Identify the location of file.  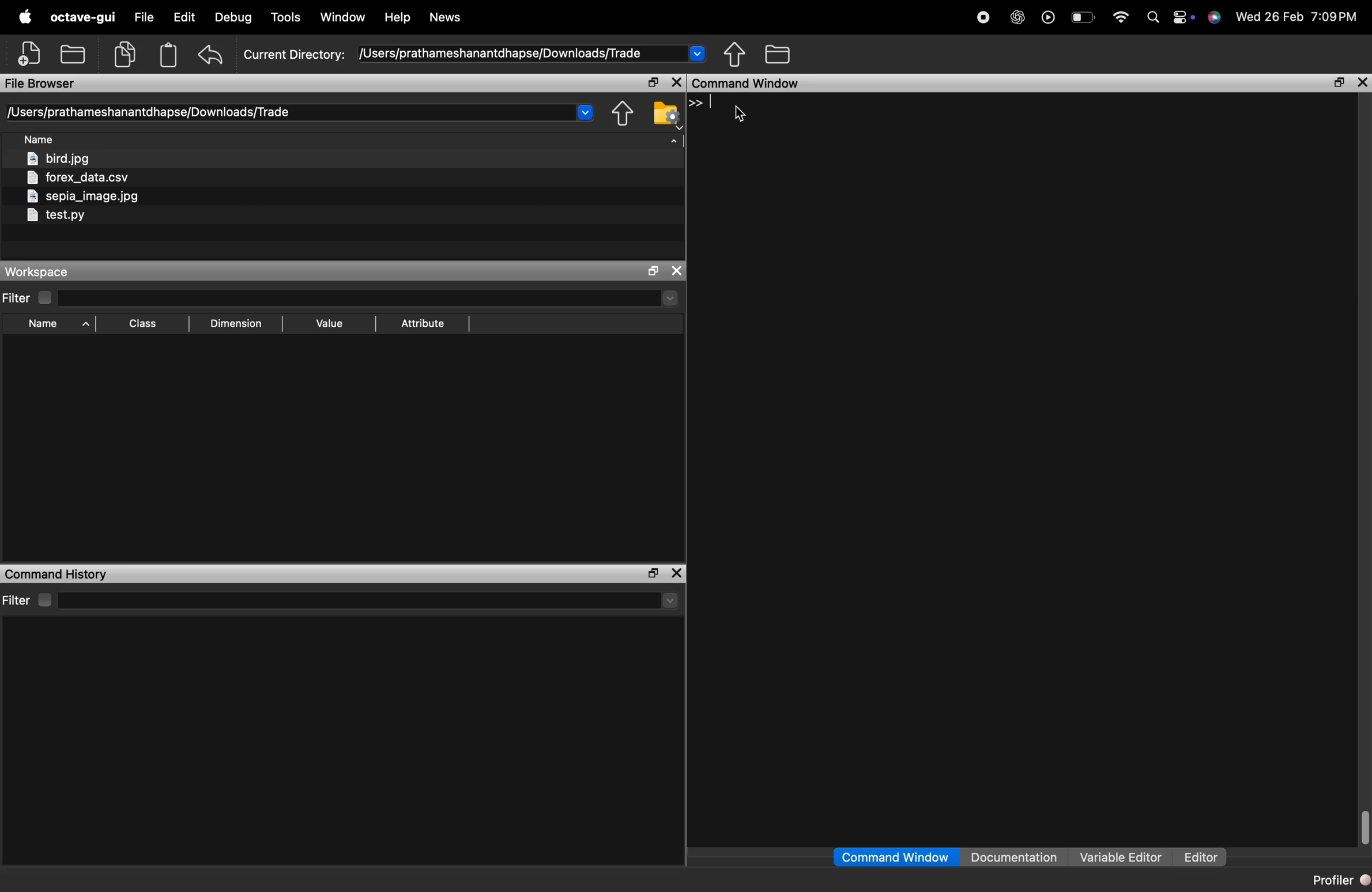
(147, 18).